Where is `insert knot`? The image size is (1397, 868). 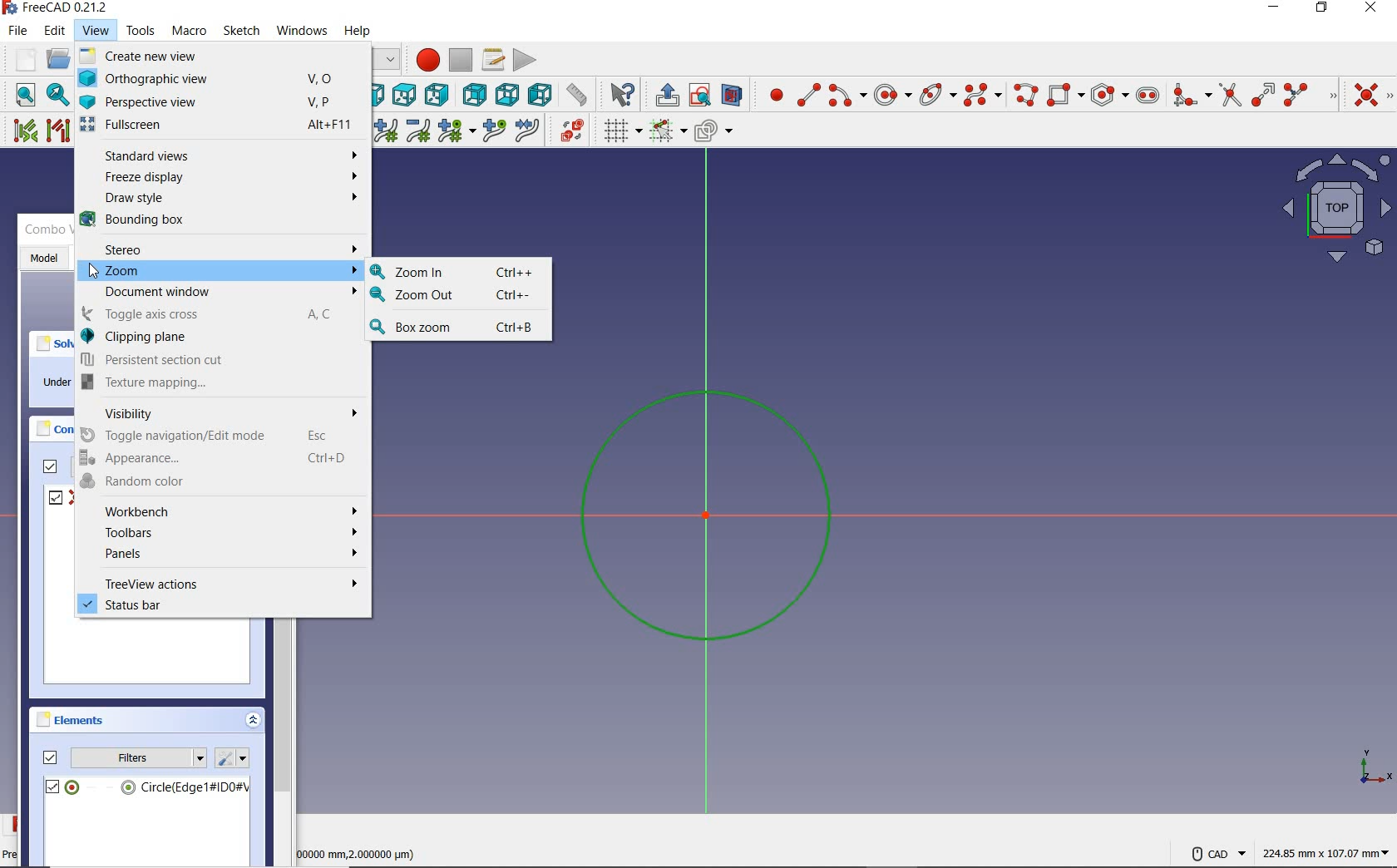 insert knot is located at coordinates (492, 129).